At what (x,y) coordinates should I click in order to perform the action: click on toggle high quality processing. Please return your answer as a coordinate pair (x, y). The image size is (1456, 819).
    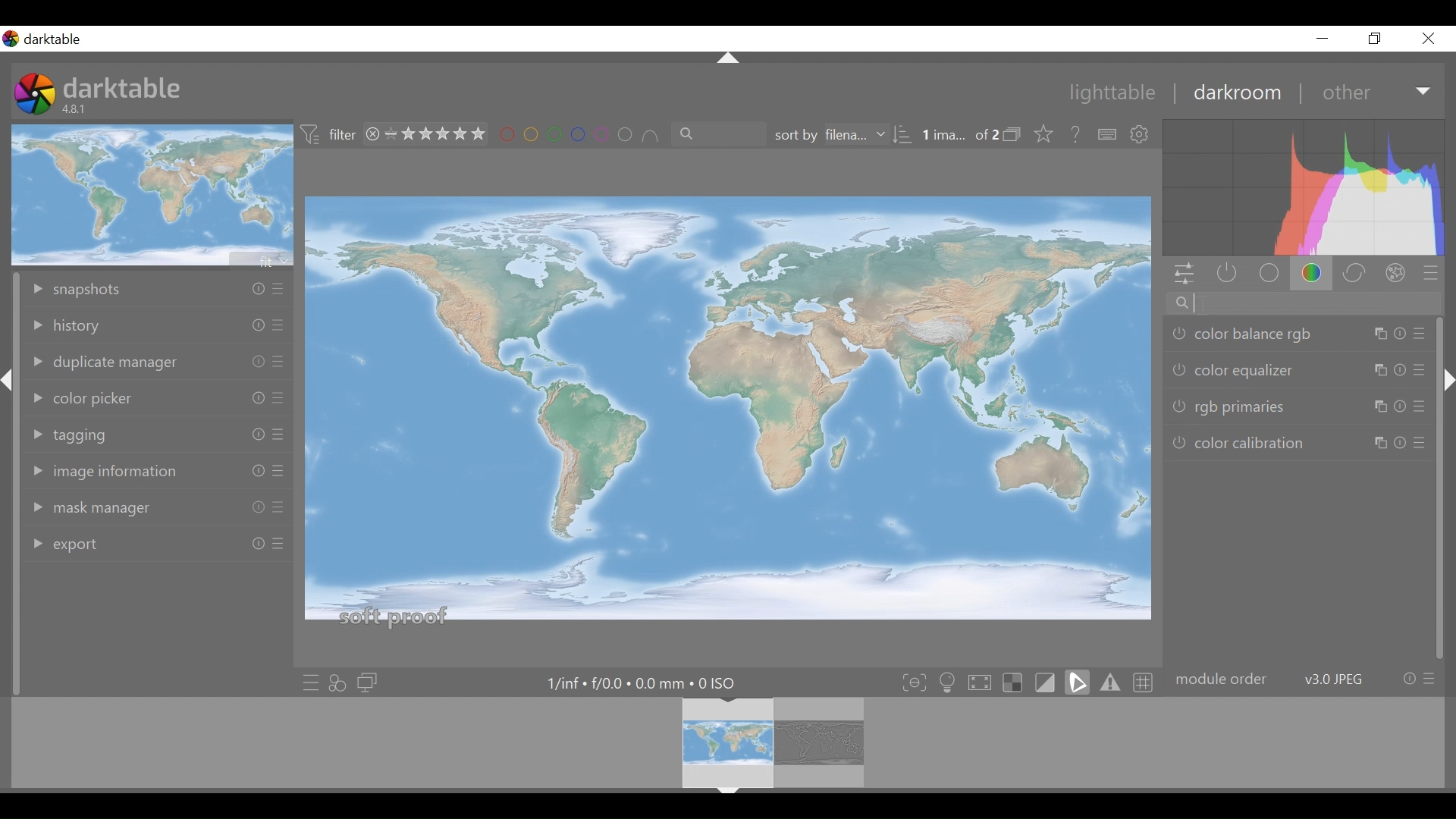
    Looking at the image, I should click on (979, 680).